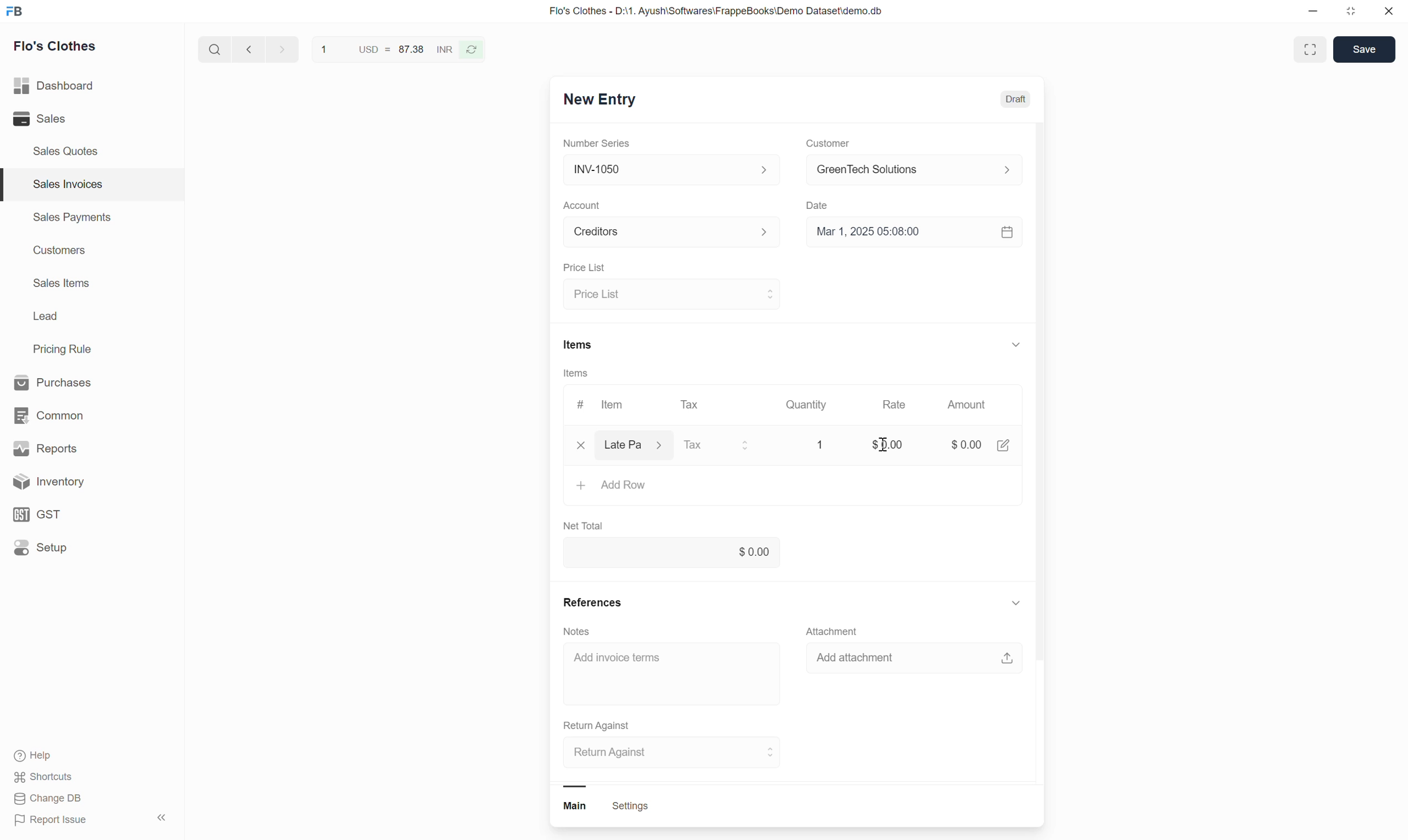 The height and width of the screenshot is (840, 1408). I want to click on Flo's Clothes - D:\1. Ayush\Softwares\FrappeBooks\Demo Dataset\demo.db, so click(726, 12).